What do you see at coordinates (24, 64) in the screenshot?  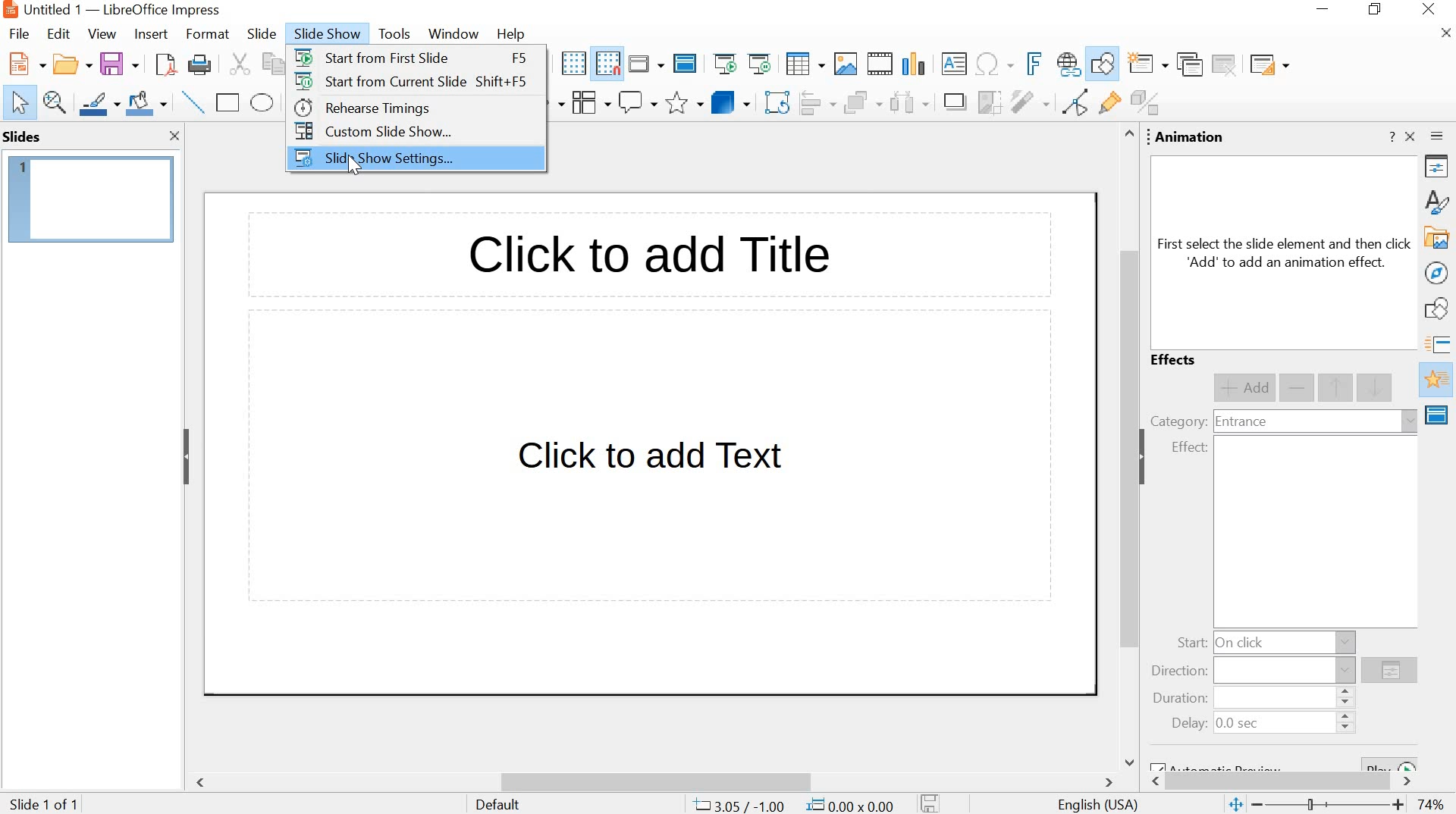 I see `new` at bounding box center [24, 64].